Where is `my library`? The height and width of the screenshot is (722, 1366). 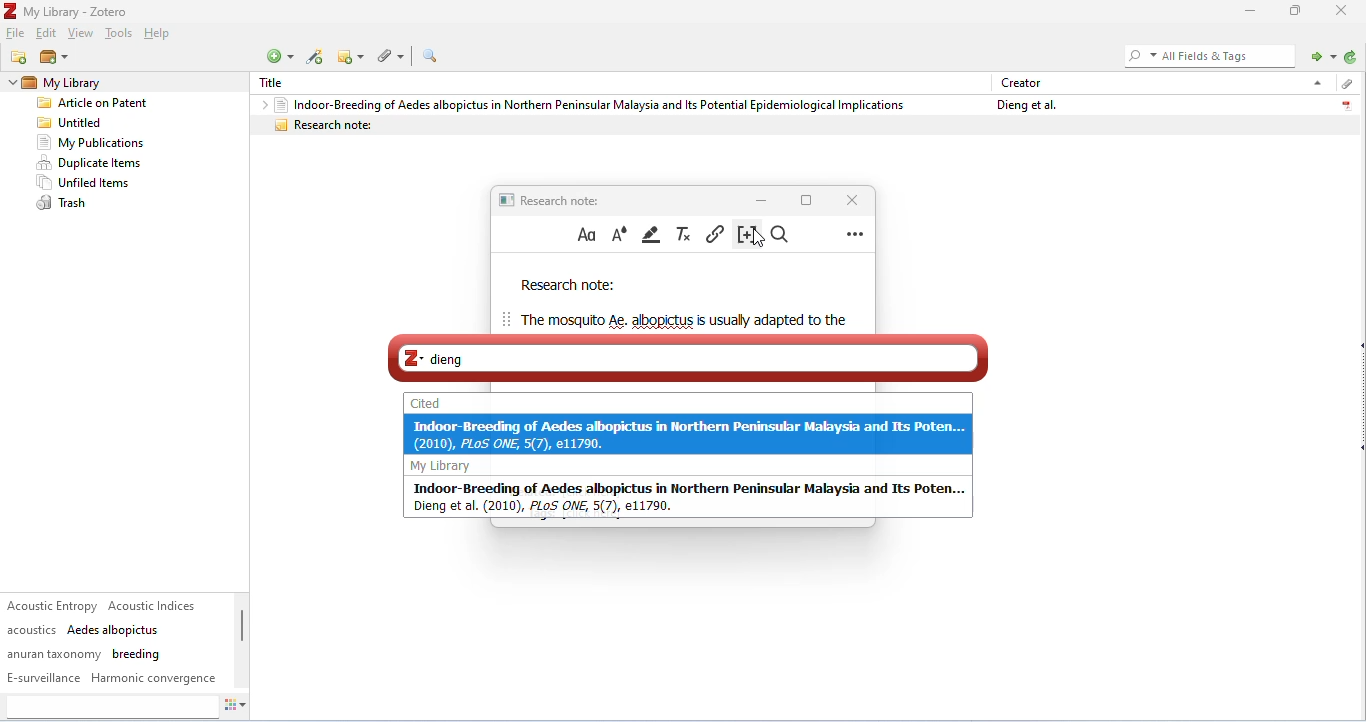
my library is located at coordinates (446, 466).